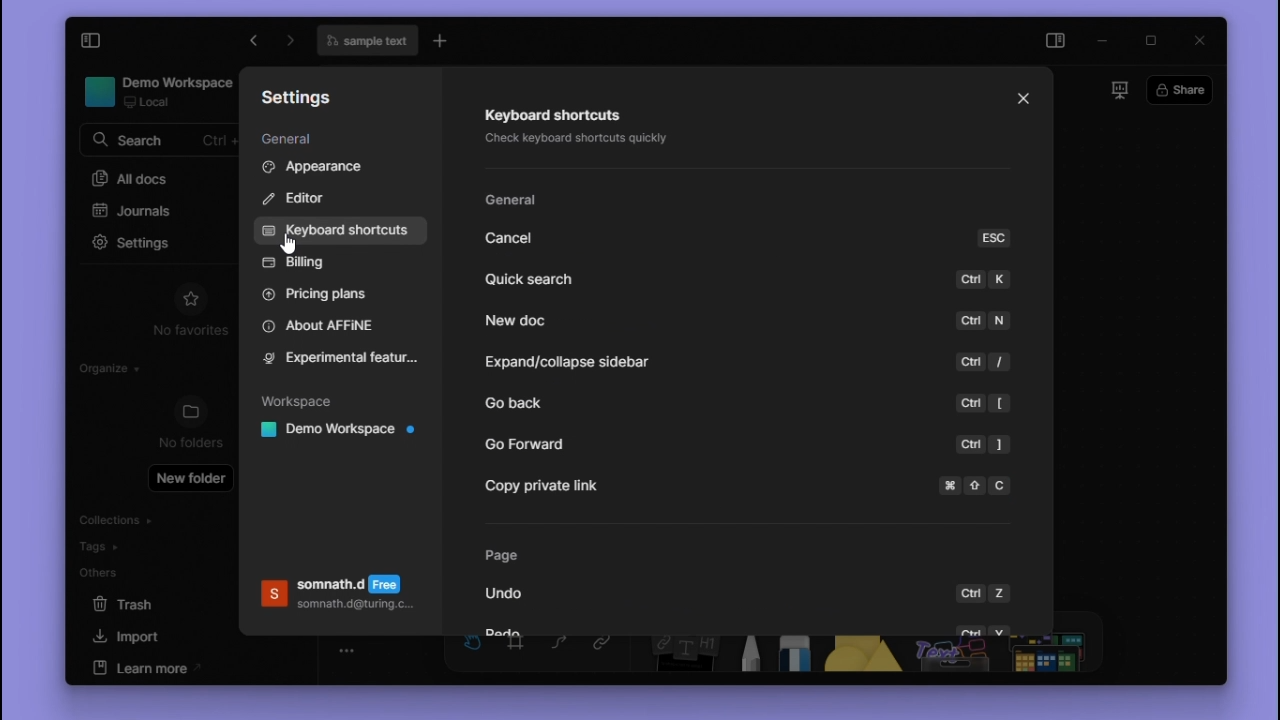 The image size is (1280, 720). Describe the element at coordinates (605, 654) in the screenshot. I see `Link` at that location.